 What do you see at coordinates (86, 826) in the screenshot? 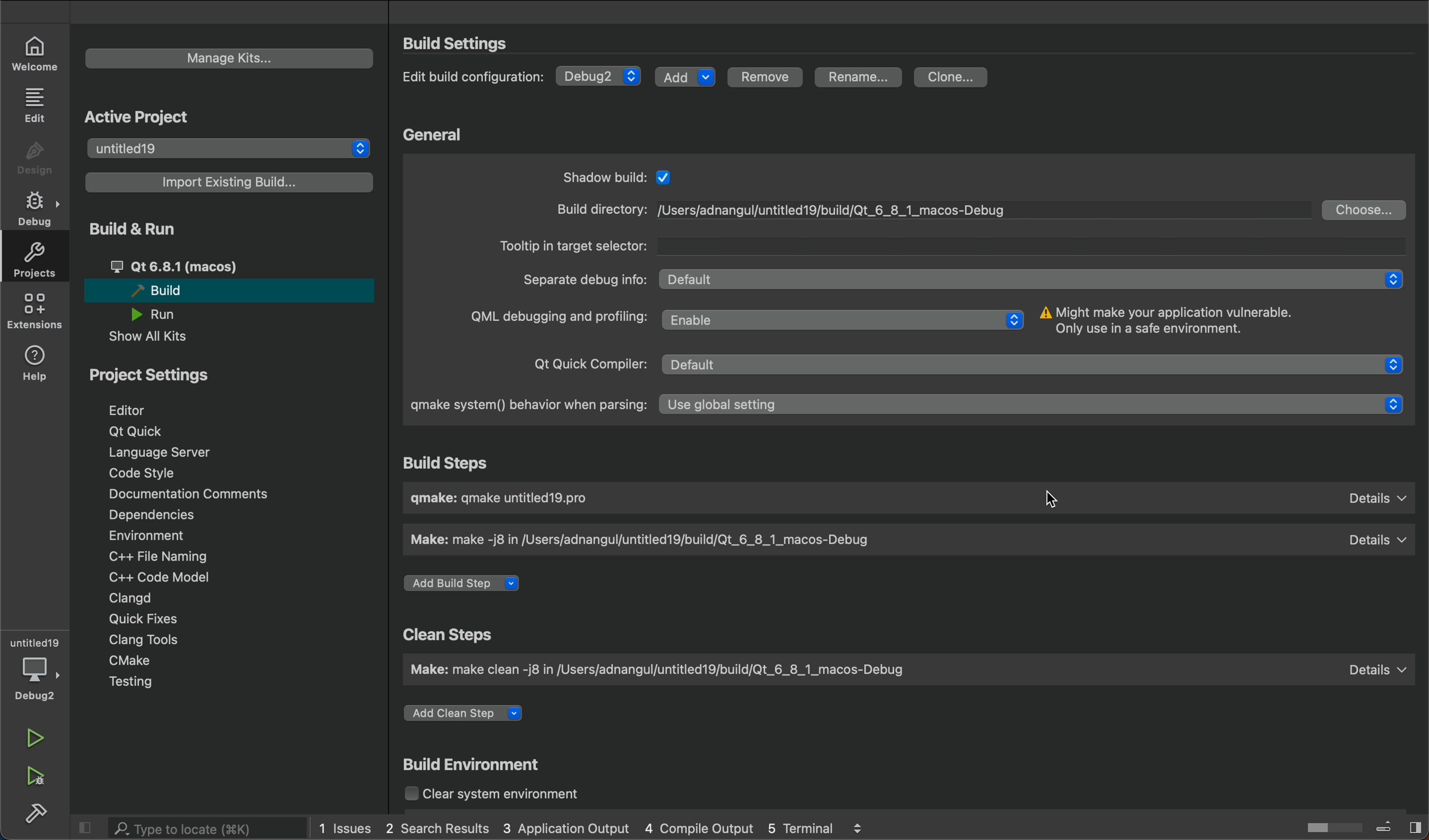
I see `close side bar` at bounding box center [86, 826].